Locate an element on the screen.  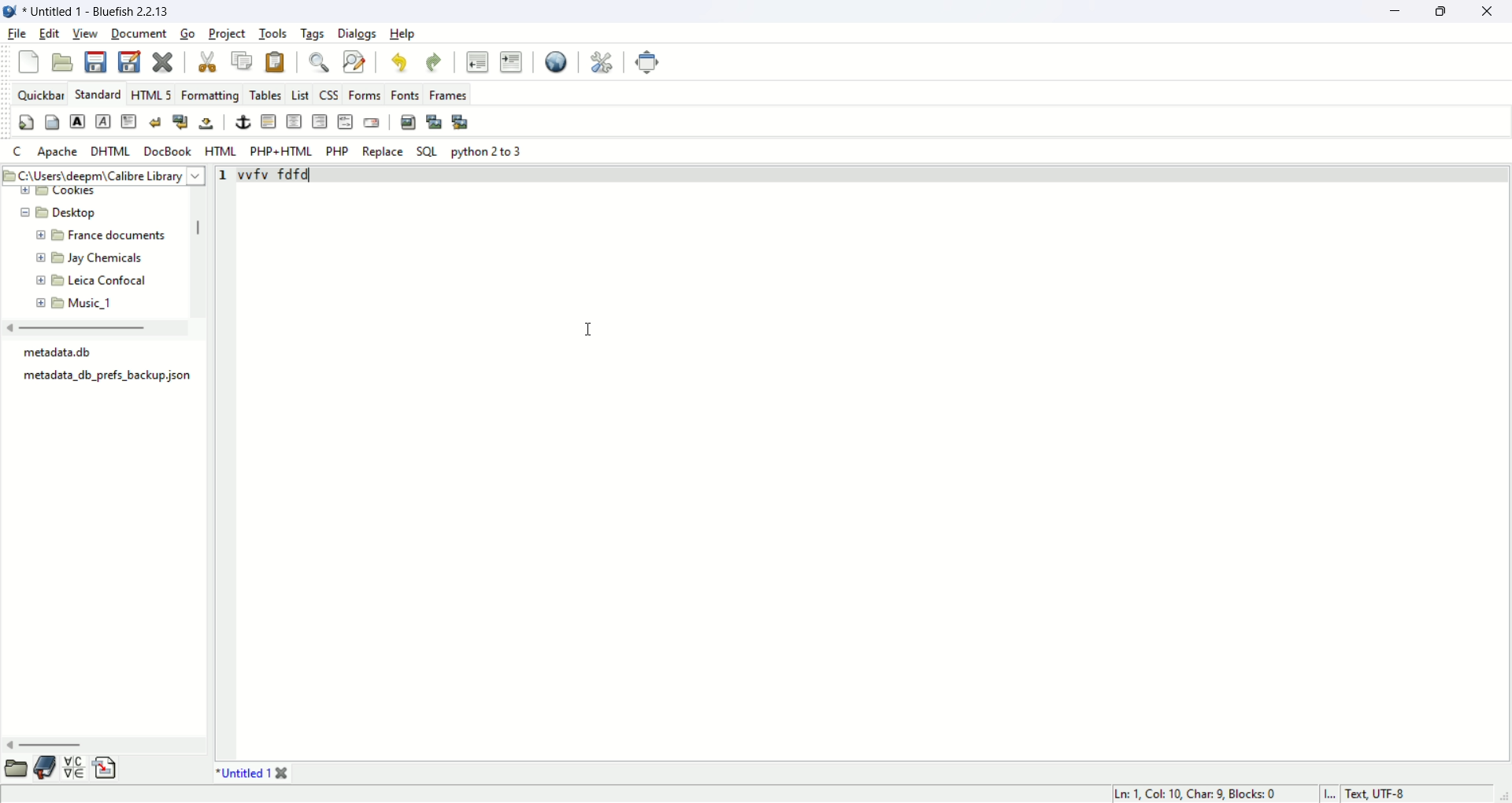
edit preferences is located at coordinates (601, 61).